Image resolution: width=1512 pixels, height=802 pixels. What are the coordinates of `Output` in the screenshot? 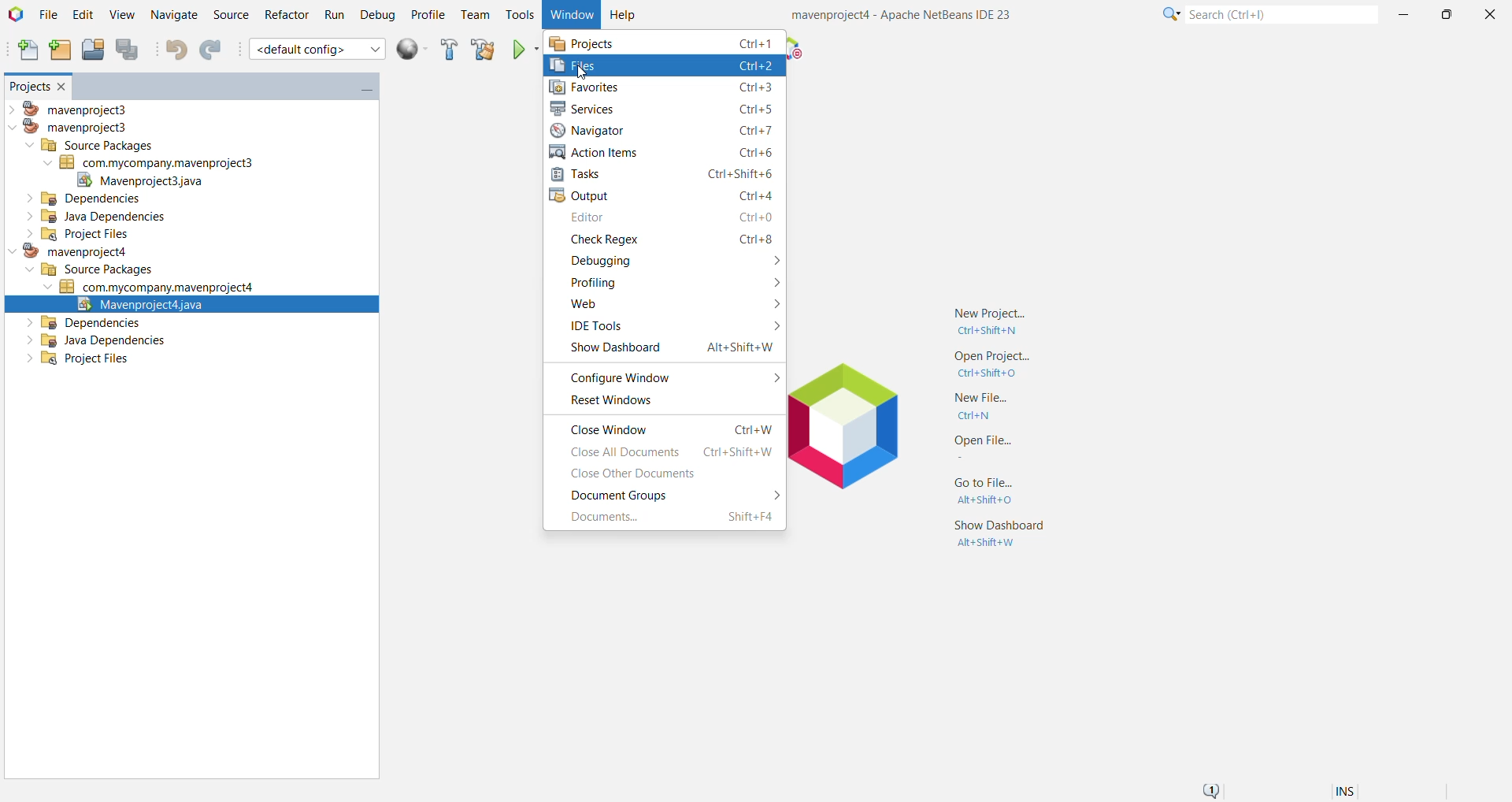 It's located at (666, 196).